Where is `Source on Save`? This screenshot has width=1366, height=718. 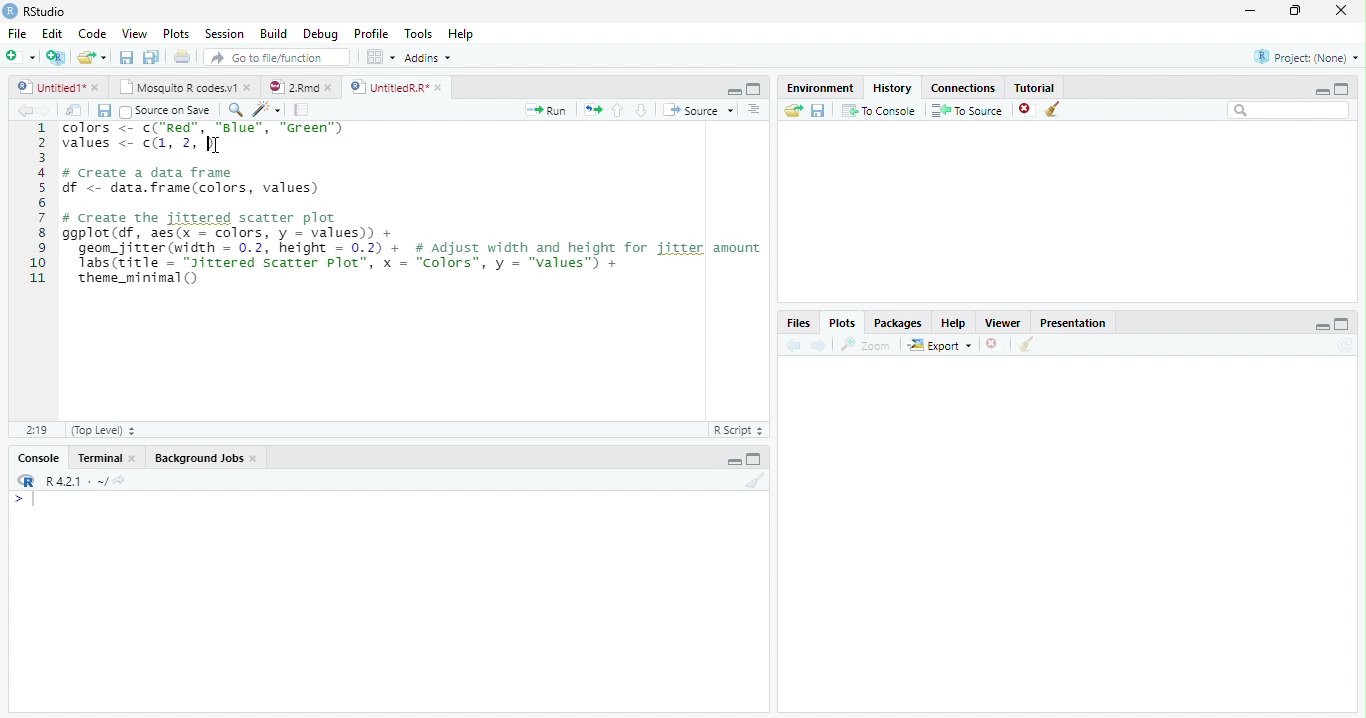
Source on Save is located at coordinates (167, 111).